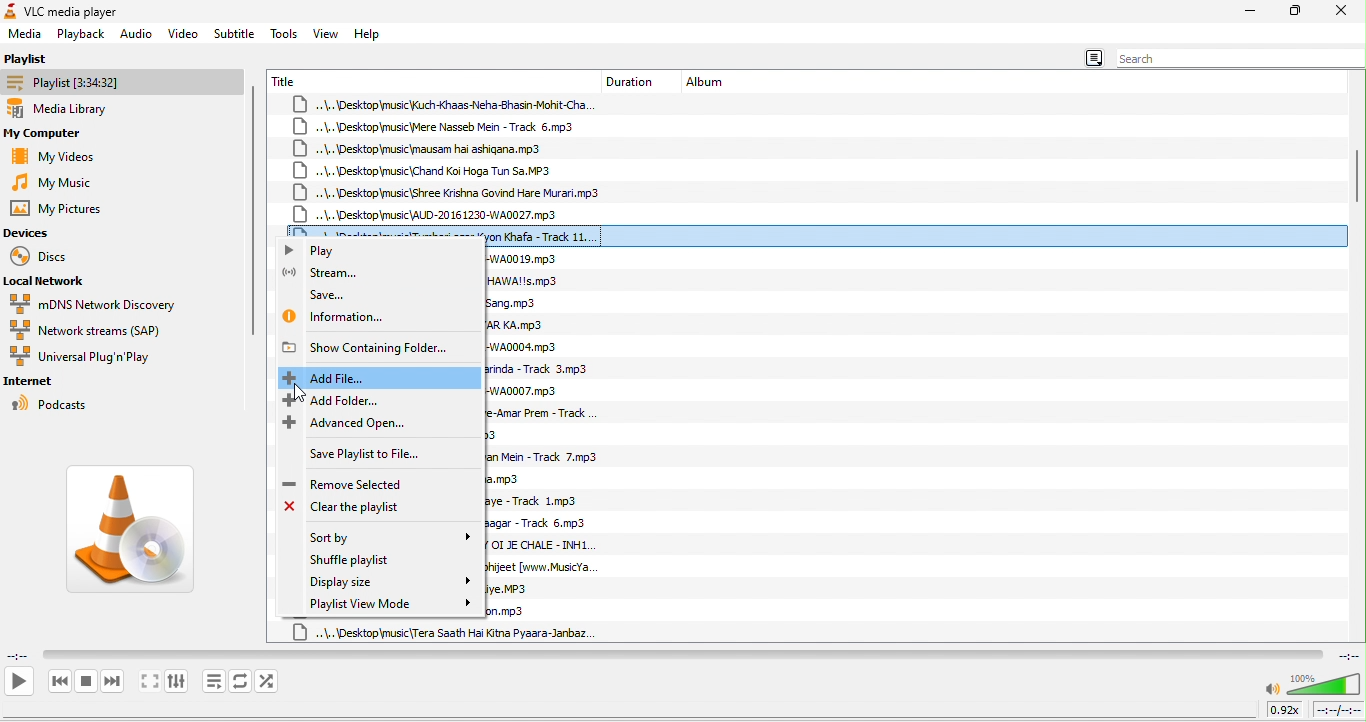 This screenshot has height=722, width=1366. What do you see at coordinates (285, 33) in the screenshot?
I see `tools` at bounding box center [285, 33].